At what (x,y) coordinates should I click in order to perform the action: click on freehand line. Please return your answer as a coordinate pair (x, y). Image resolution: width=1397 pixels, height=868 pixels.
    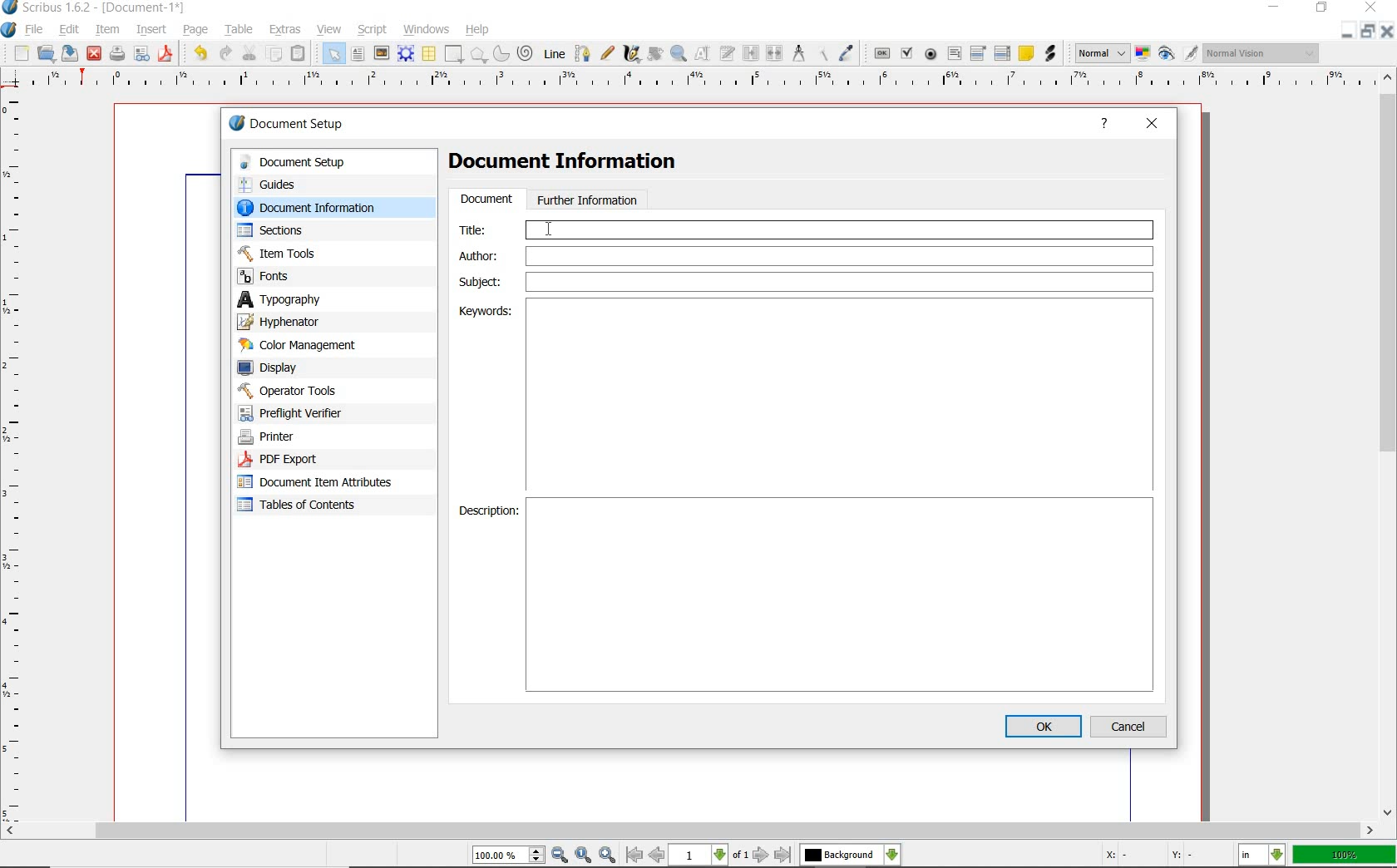
    Looking at the image, I should click on (606, 52).